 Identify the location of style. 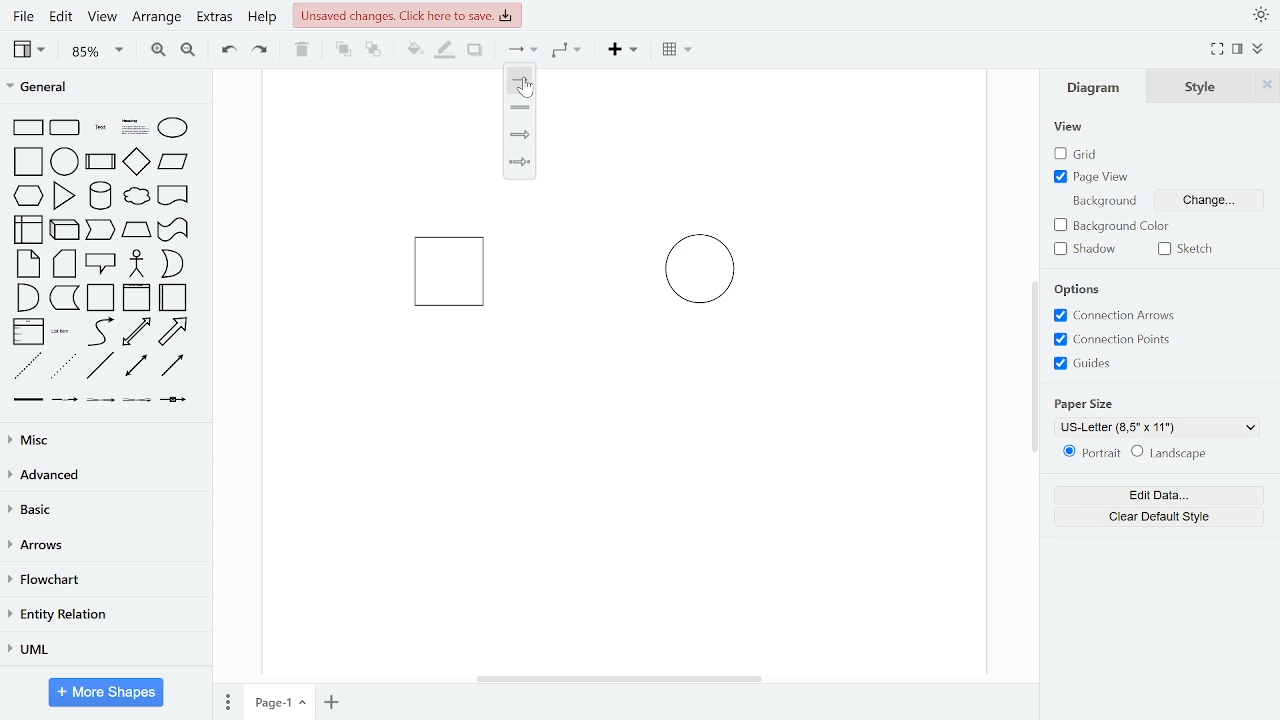
(1201, 86).